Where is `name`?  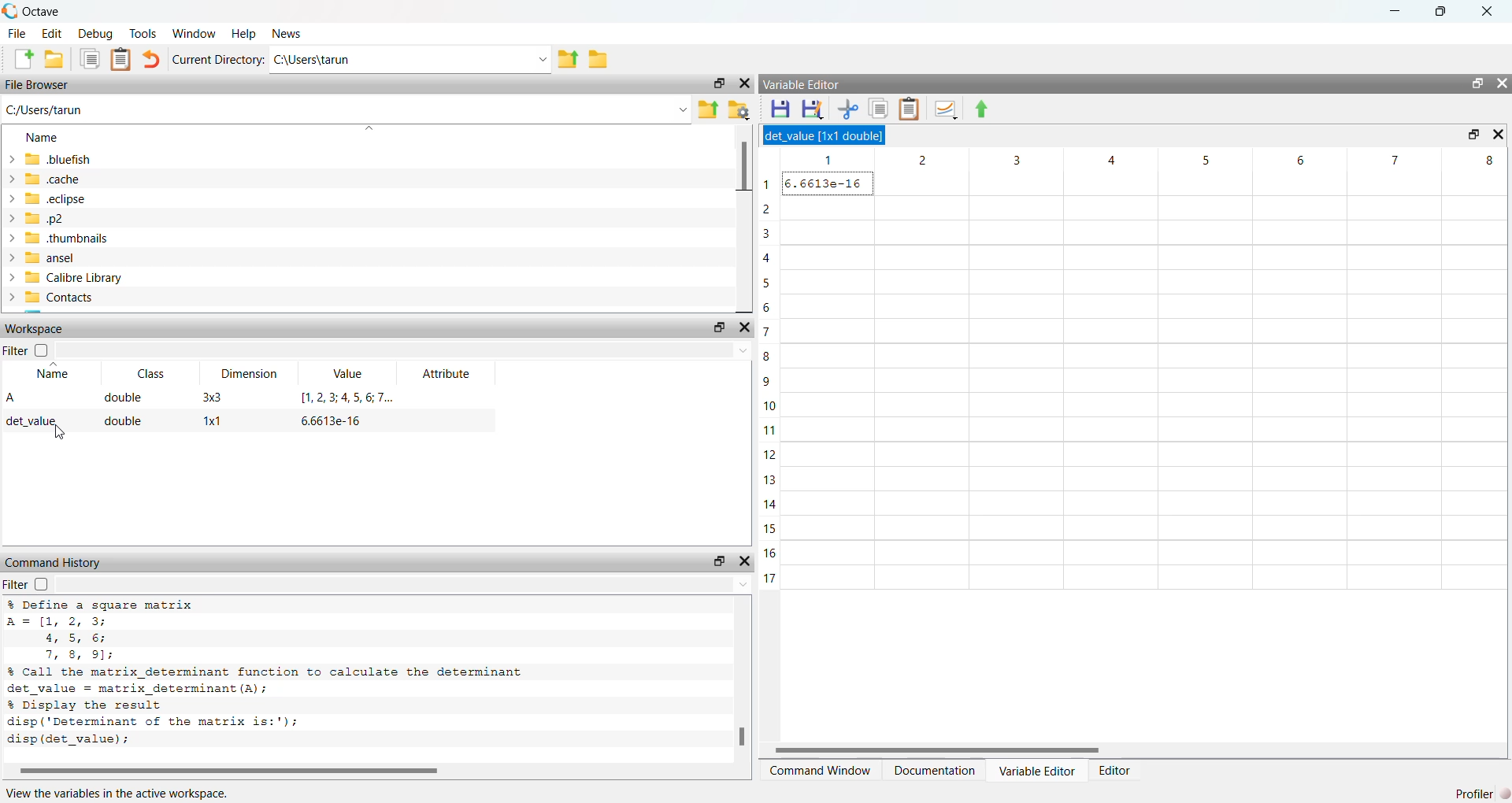 name is located at coordinates (50, 374).